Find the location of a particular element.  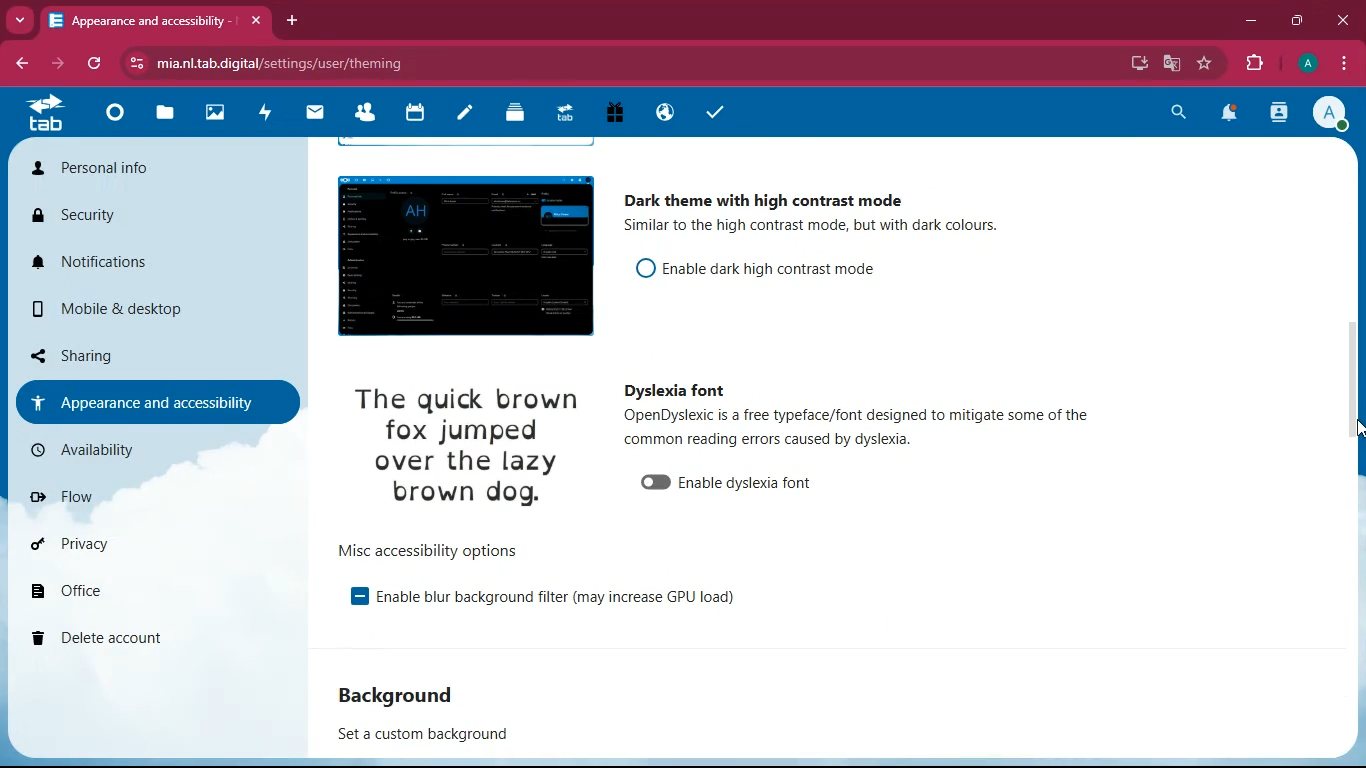

public is located at coordinates (661, 112).